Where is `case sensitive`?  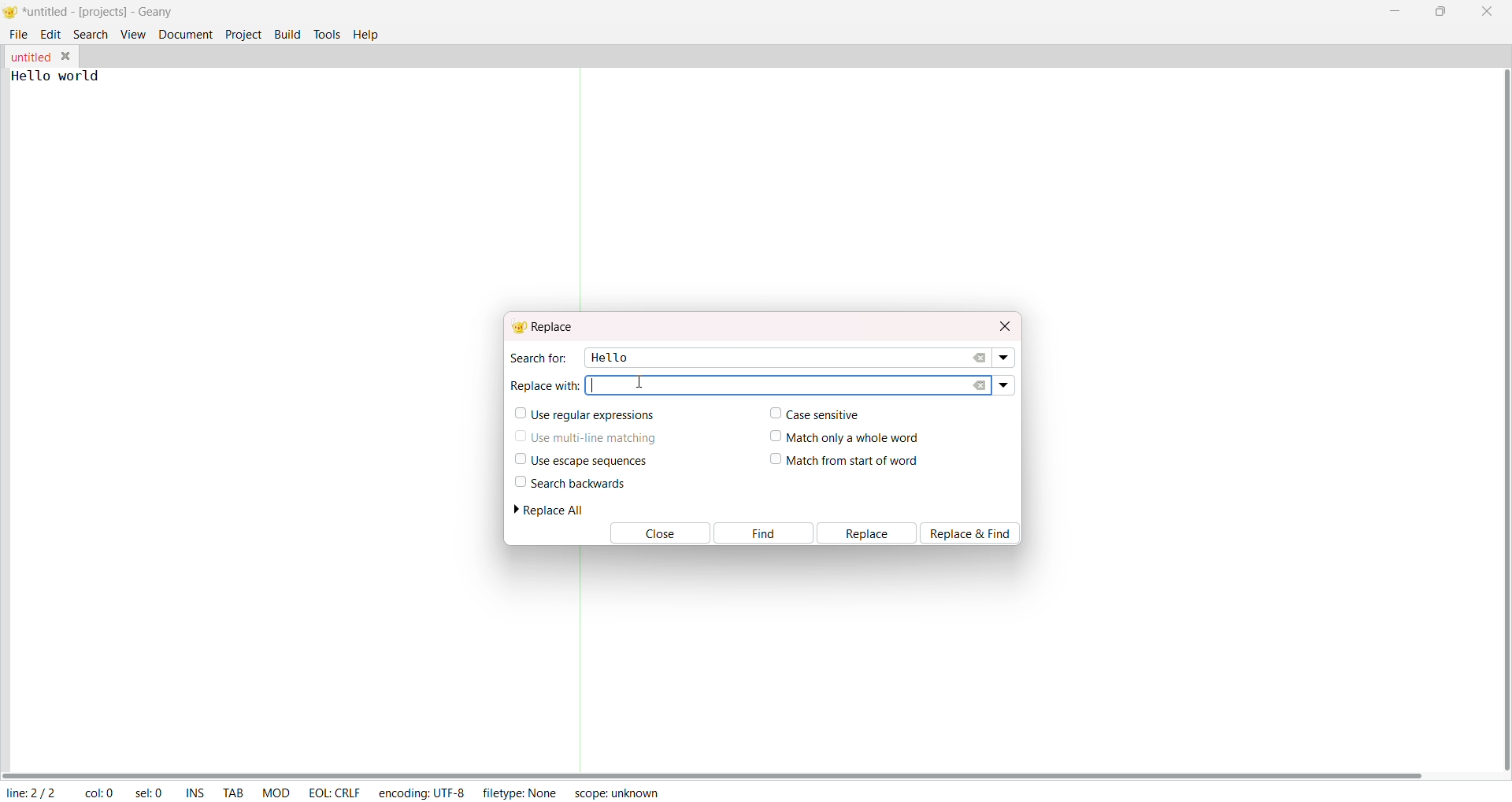 case sensitive is located at coordinates (811, 413).